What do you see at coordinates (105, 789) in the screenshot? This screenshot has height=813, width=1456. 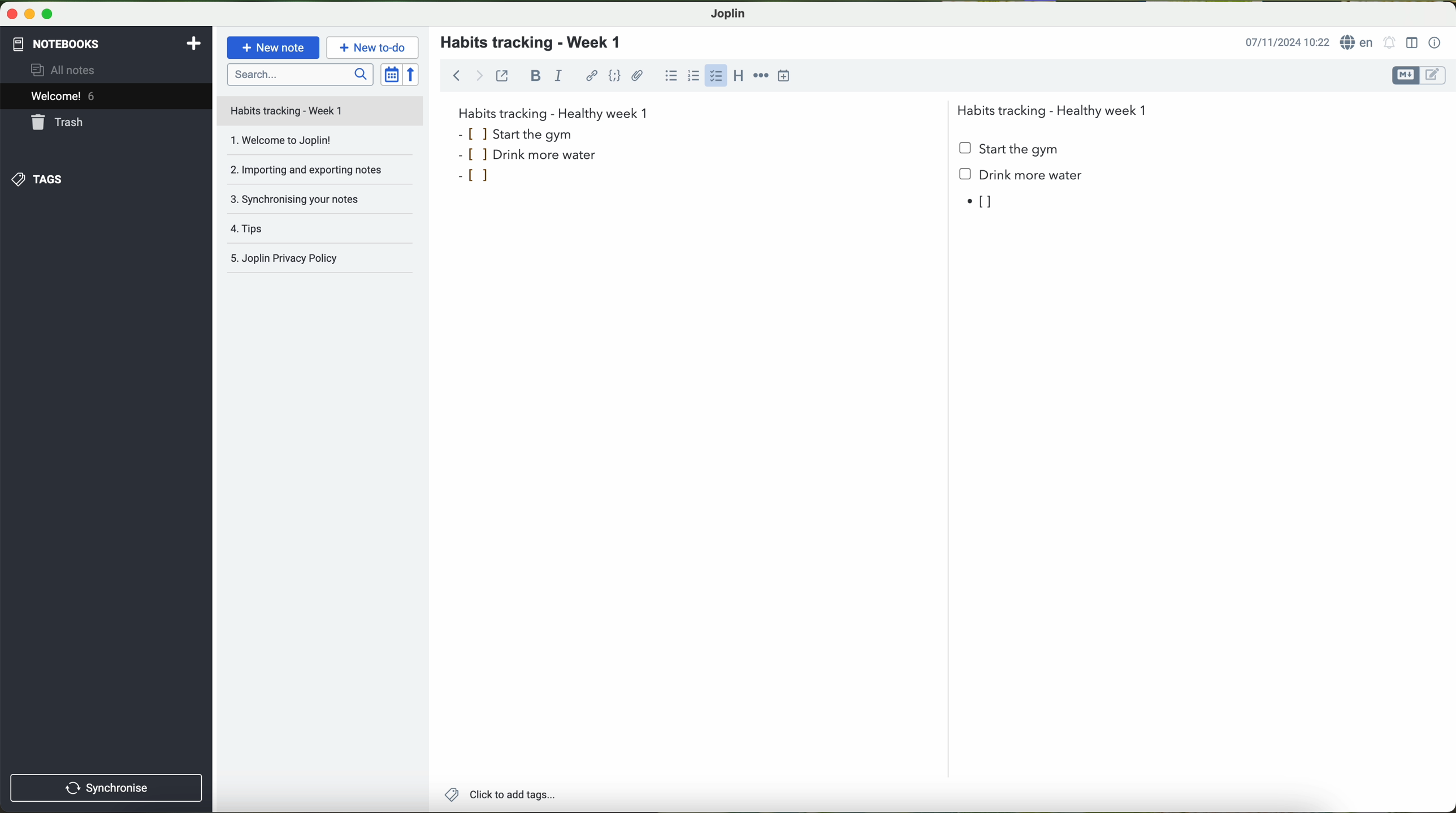 I see `synchronnise button` at bounding box center [105, 789].